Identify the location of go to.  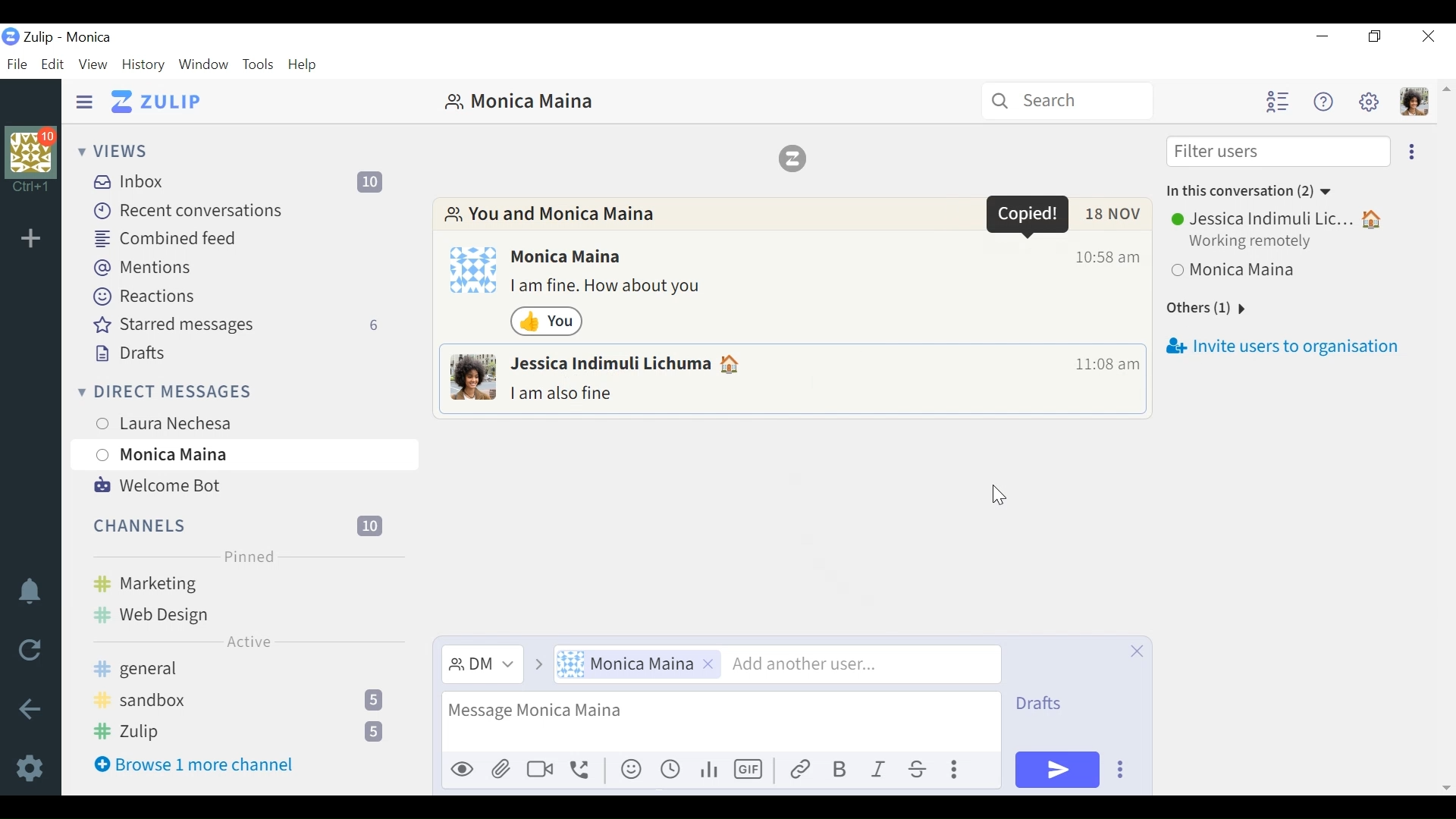
(538, 667).